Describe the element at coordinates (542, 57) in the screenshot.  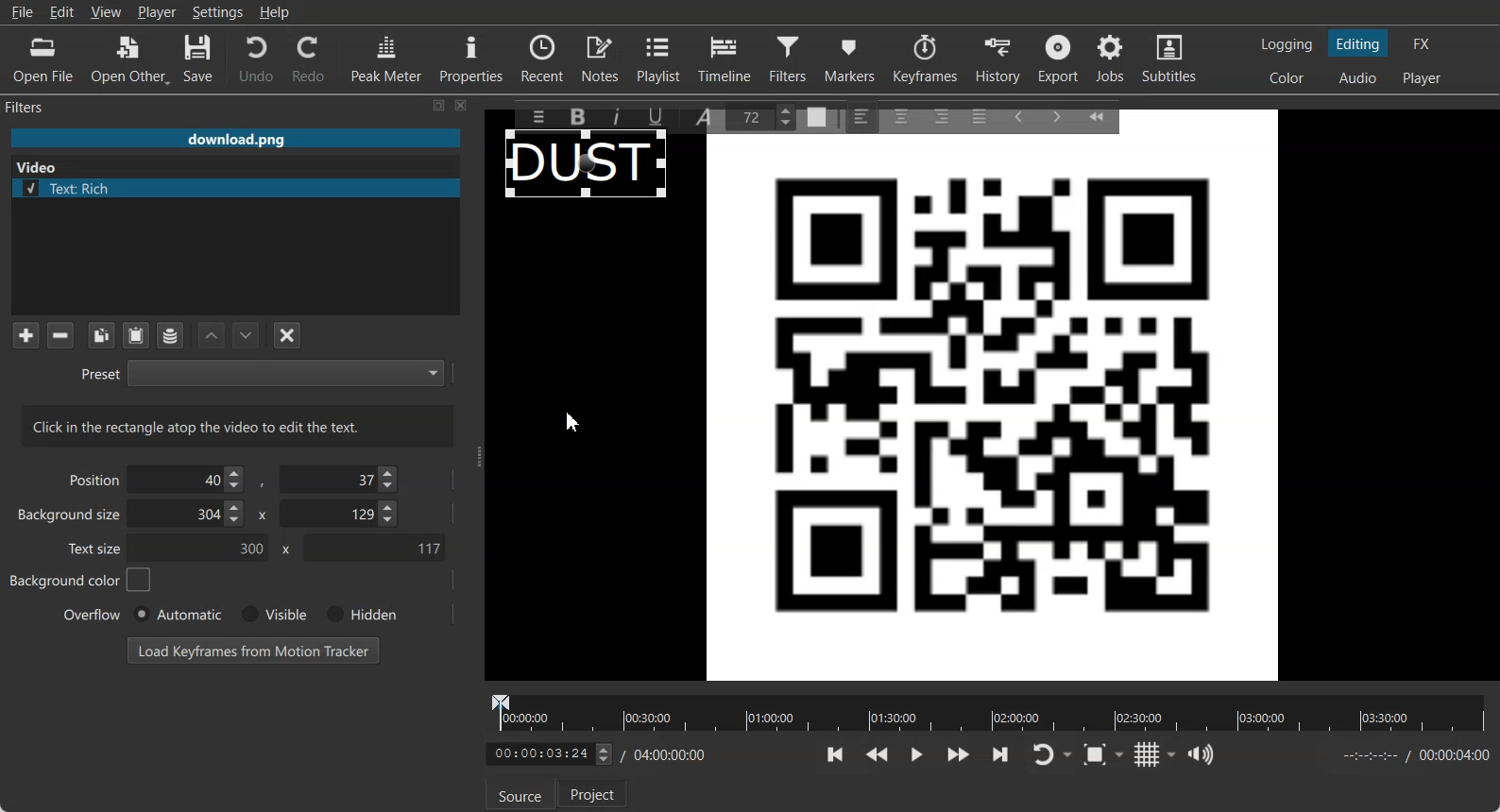
I see `Recent` at that location.